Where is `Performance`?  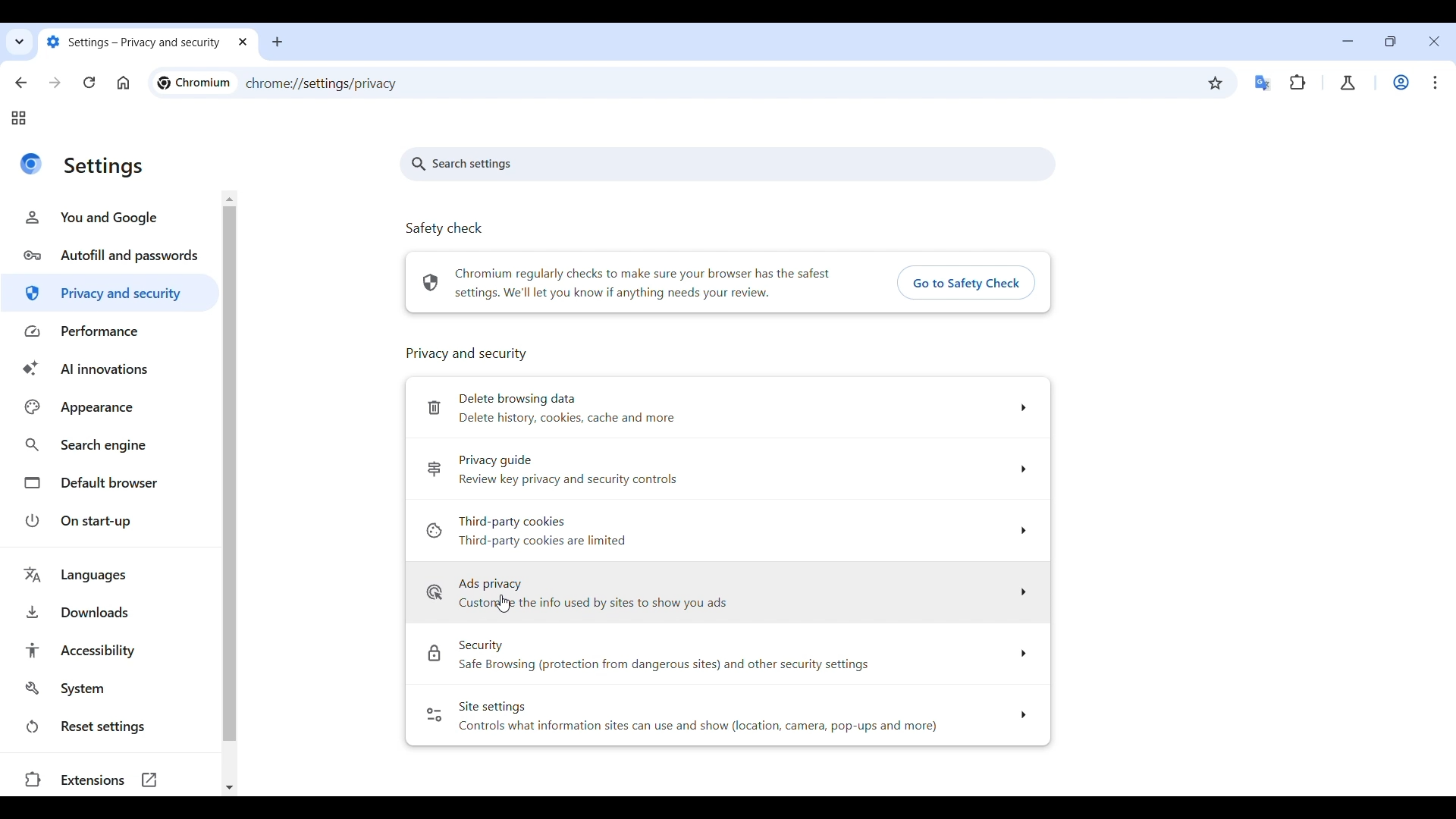 Performance is located at coordinates (111, 332).